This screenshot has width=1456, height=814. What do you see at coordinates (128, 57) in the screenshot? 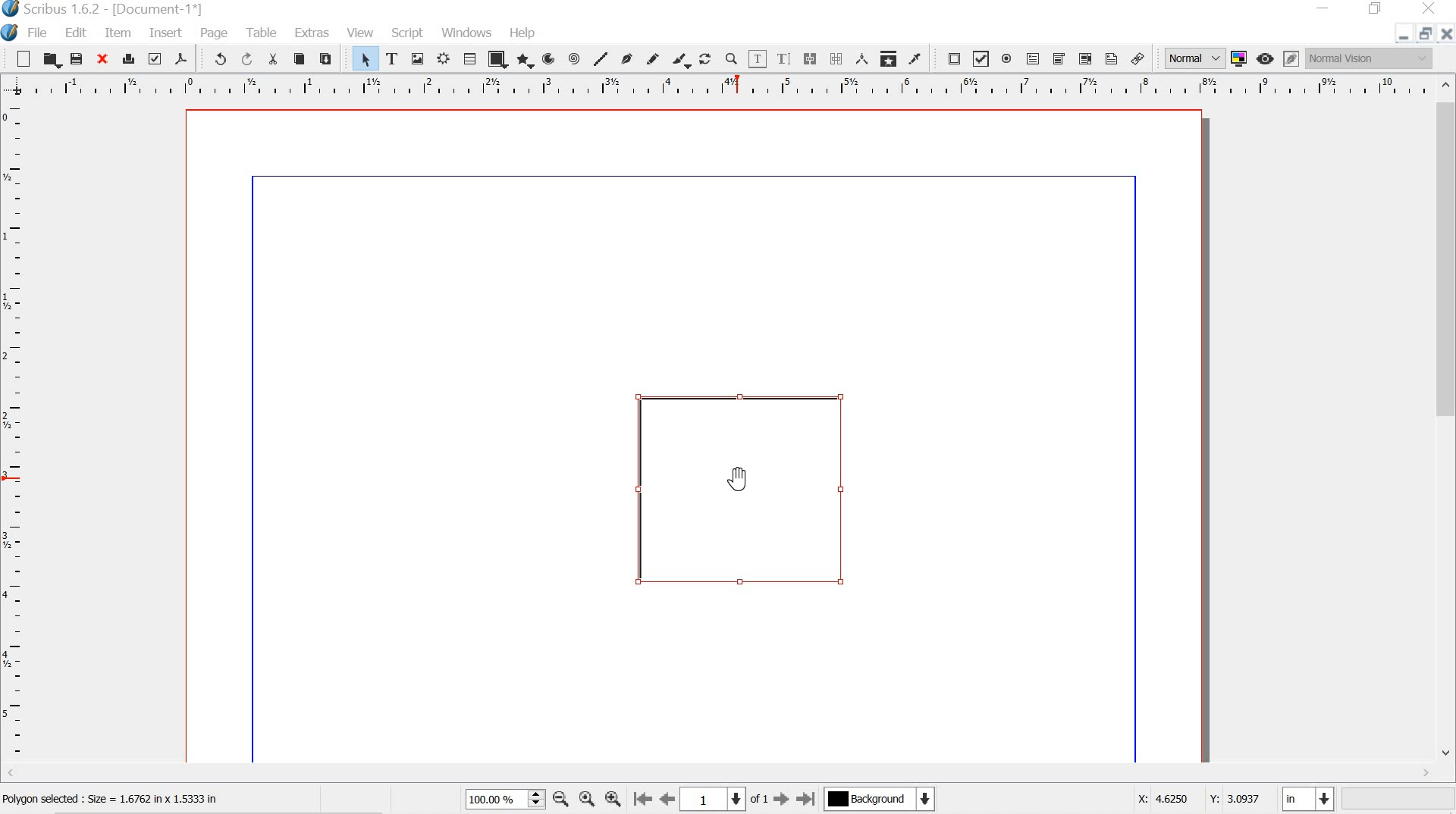
I see `print` at bounding box center [128, 57].